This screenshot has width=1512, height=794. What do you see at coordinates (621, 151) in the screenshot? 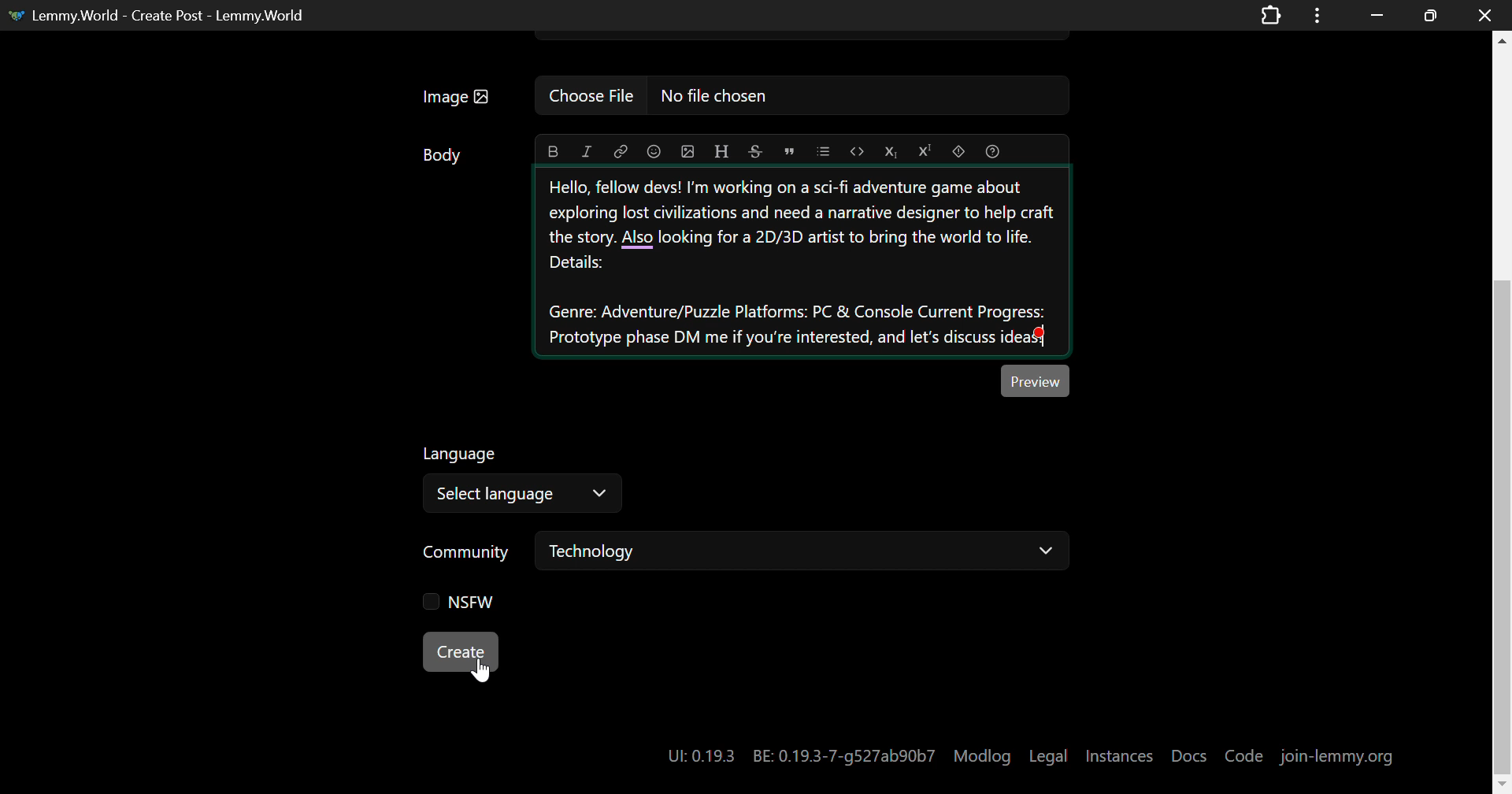
I see `link` at bounding box center [621, 151].